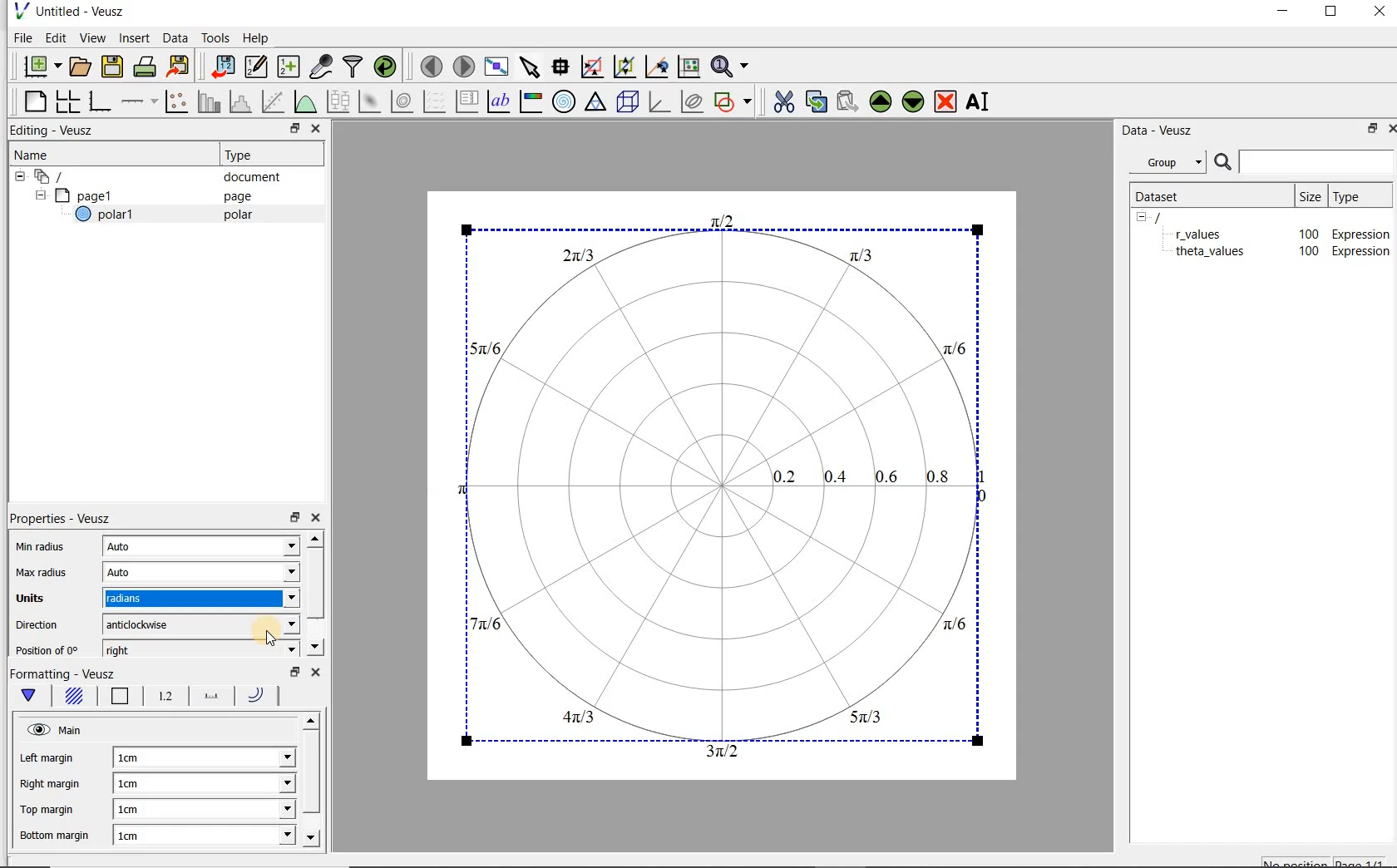 The image size is (1397, 868). What do you see at coordinates (142, 757) in the screenshot?
I see `1cm` at bounding box center [142, 757].